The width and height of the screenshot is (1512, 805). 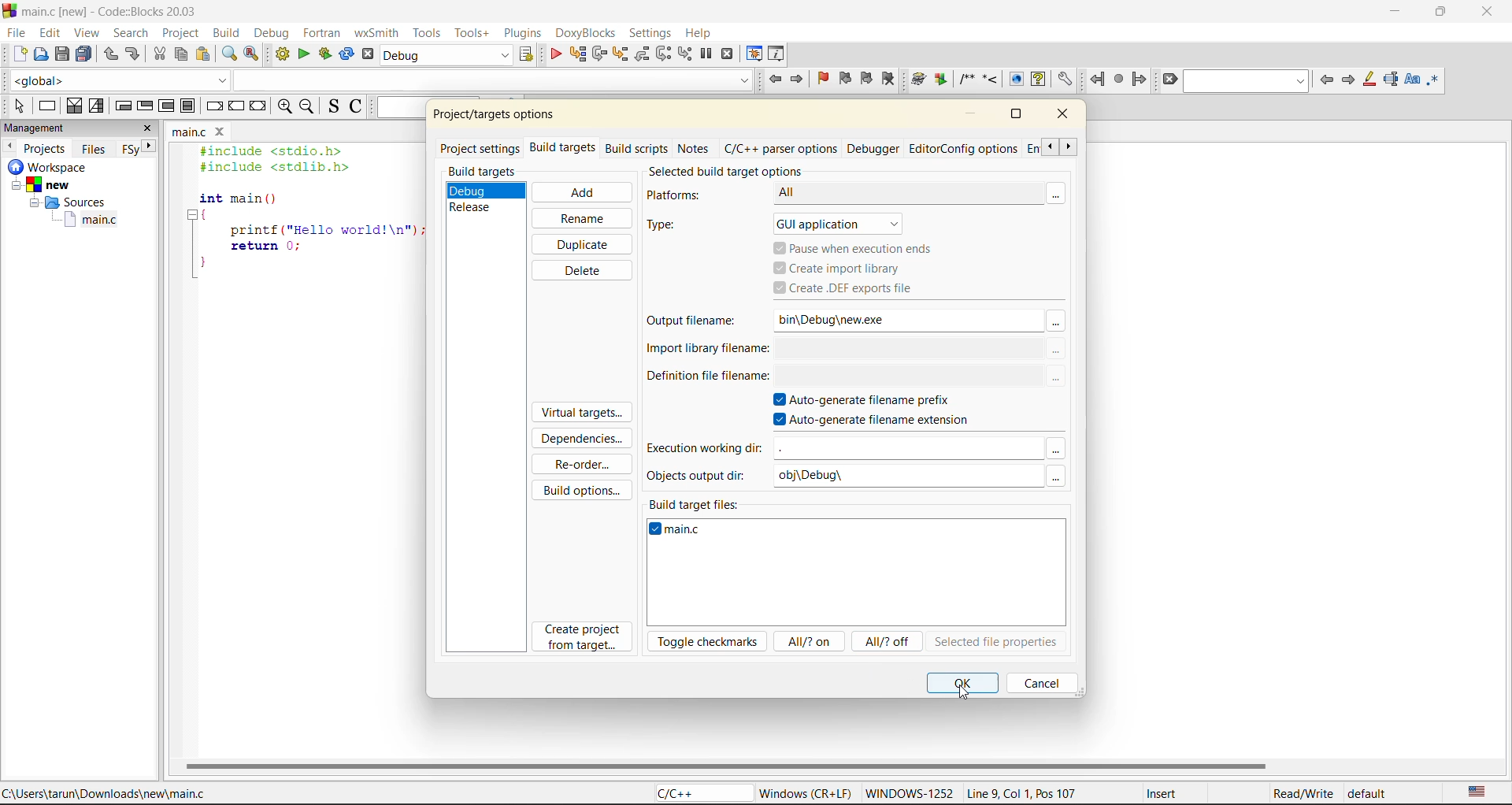 What do you see at coordinates (501, 115) in the screenshot?
I see `project/target  options` at bounding box center [501, 115].